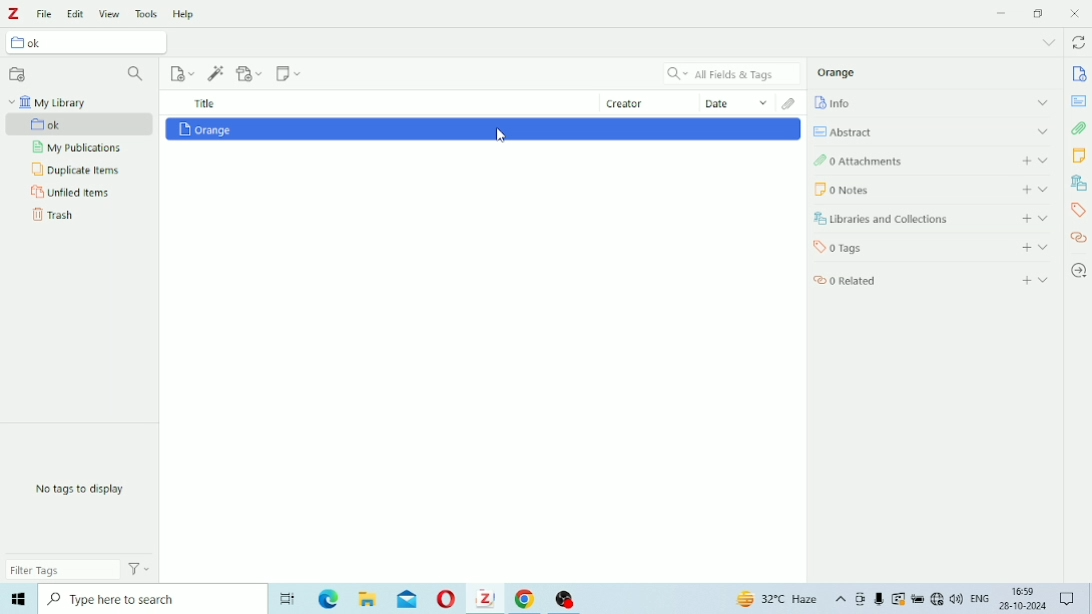 The height and width of the screenshot is (614, 1092). What do you see at coordinates (186, 14) in the screenshot?
I see `Help` at bounding box center [186, 14].